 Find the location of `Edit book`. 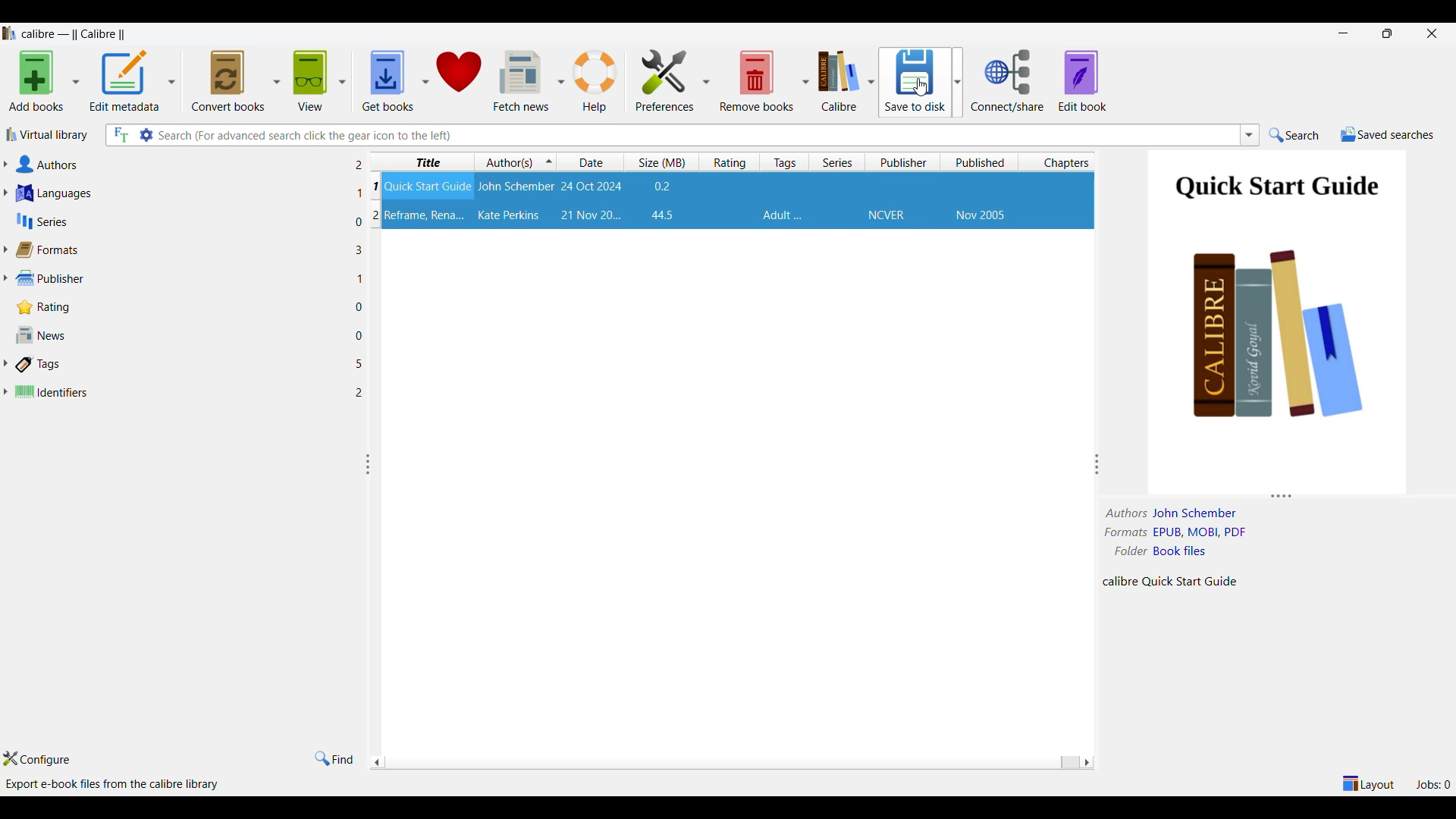

Edit book is located at coordinates (1083, 80).